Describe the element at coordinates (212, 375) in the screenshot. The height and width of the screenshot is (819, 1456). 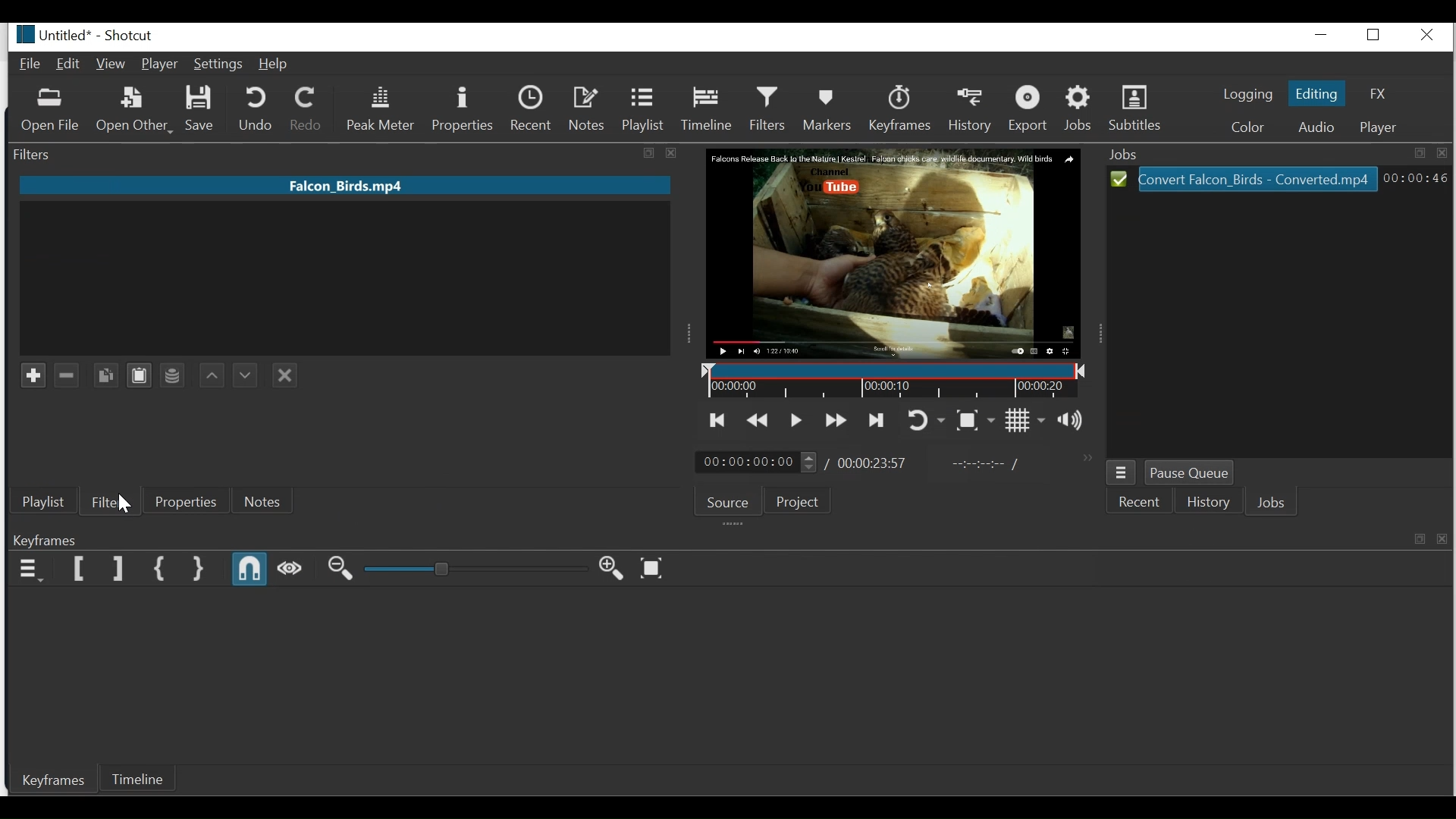
I see `Move Filter up` at that location.